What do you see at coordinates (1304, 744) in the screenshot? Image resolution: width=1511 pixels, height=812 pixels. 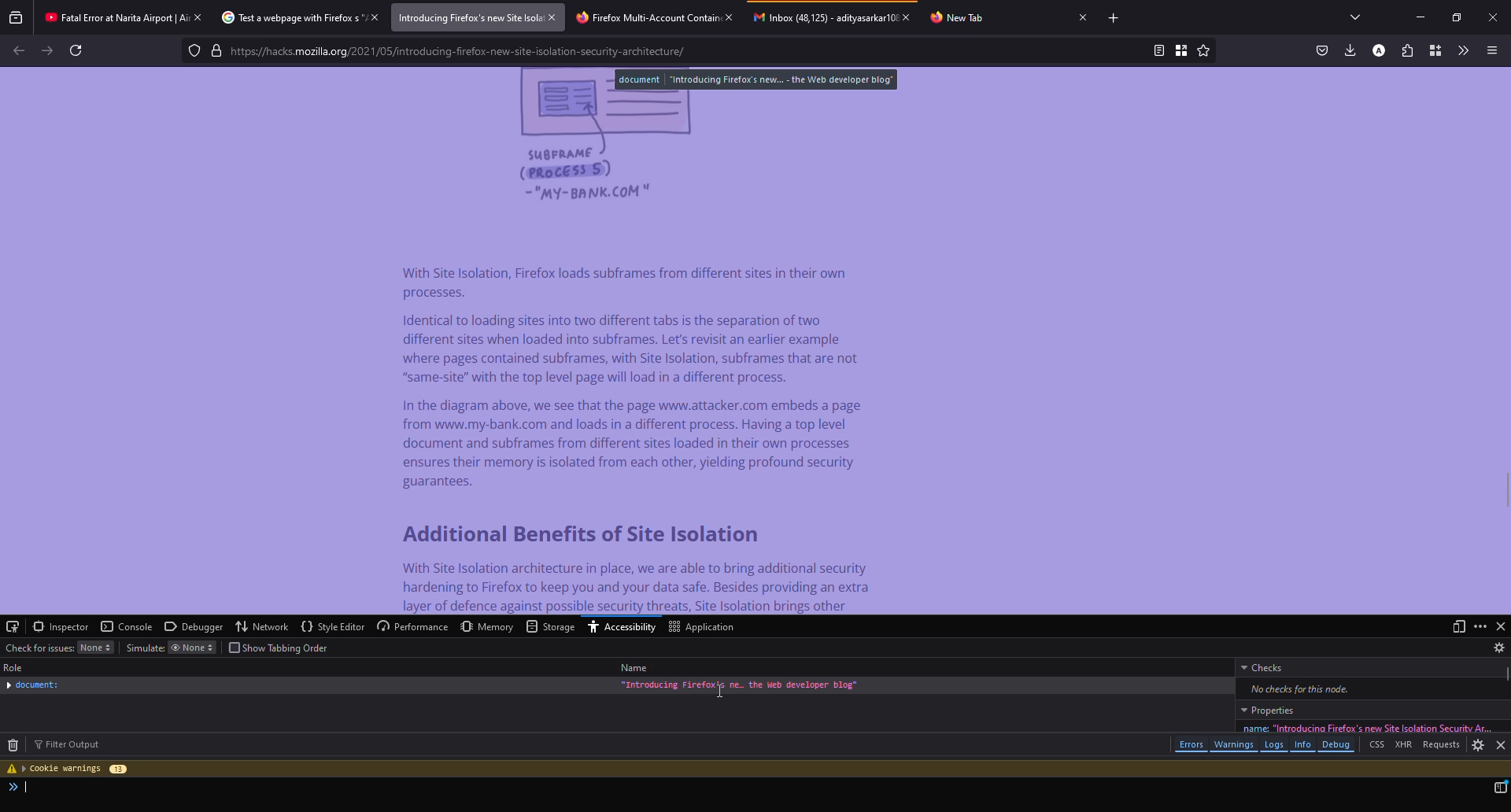 I see `info` at bounding box center [1304, 744].